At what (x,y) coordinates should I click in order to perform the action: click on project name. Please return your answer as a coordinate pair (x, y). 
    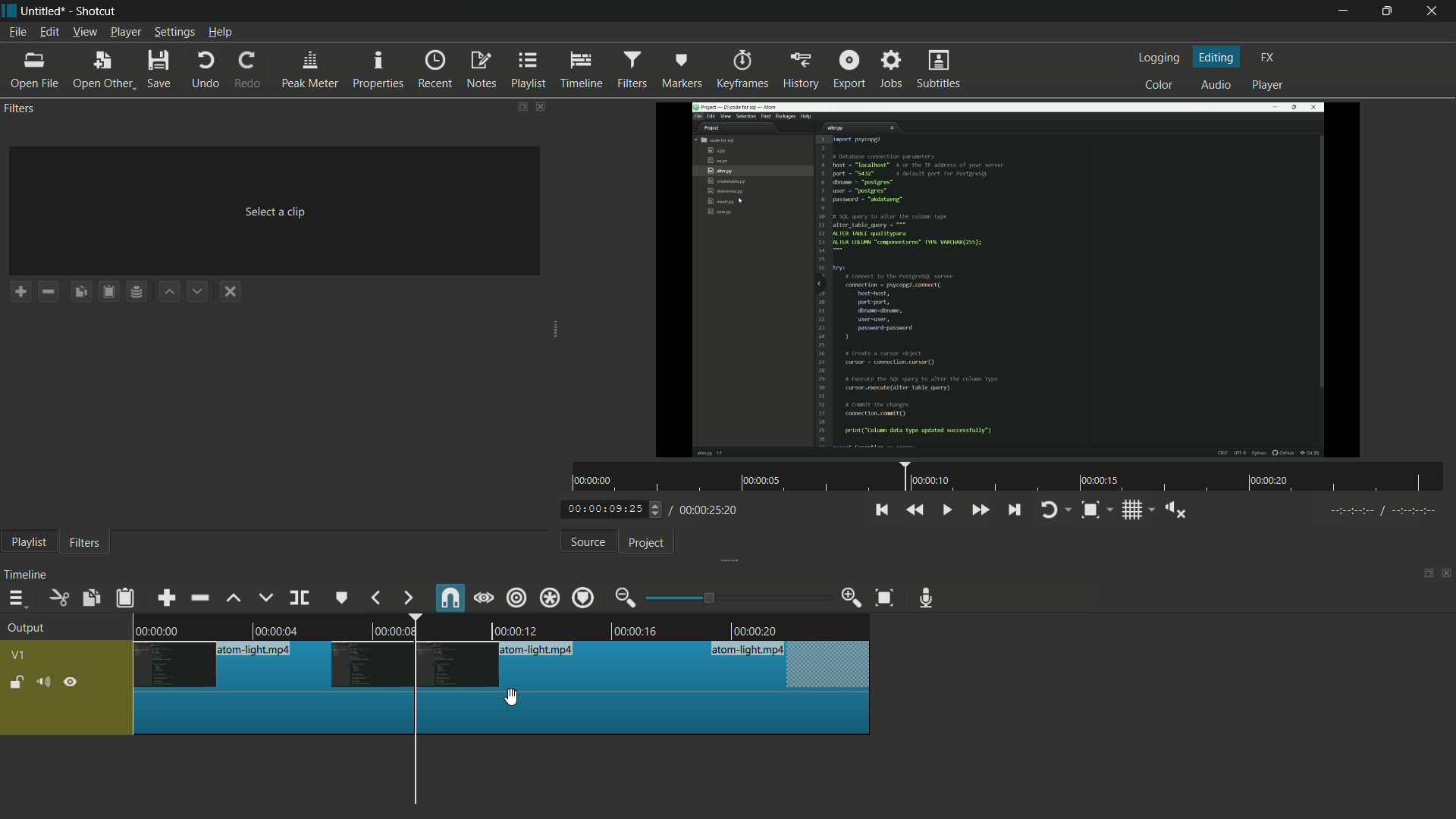
    Looking at the image, I should click on (46, 11).